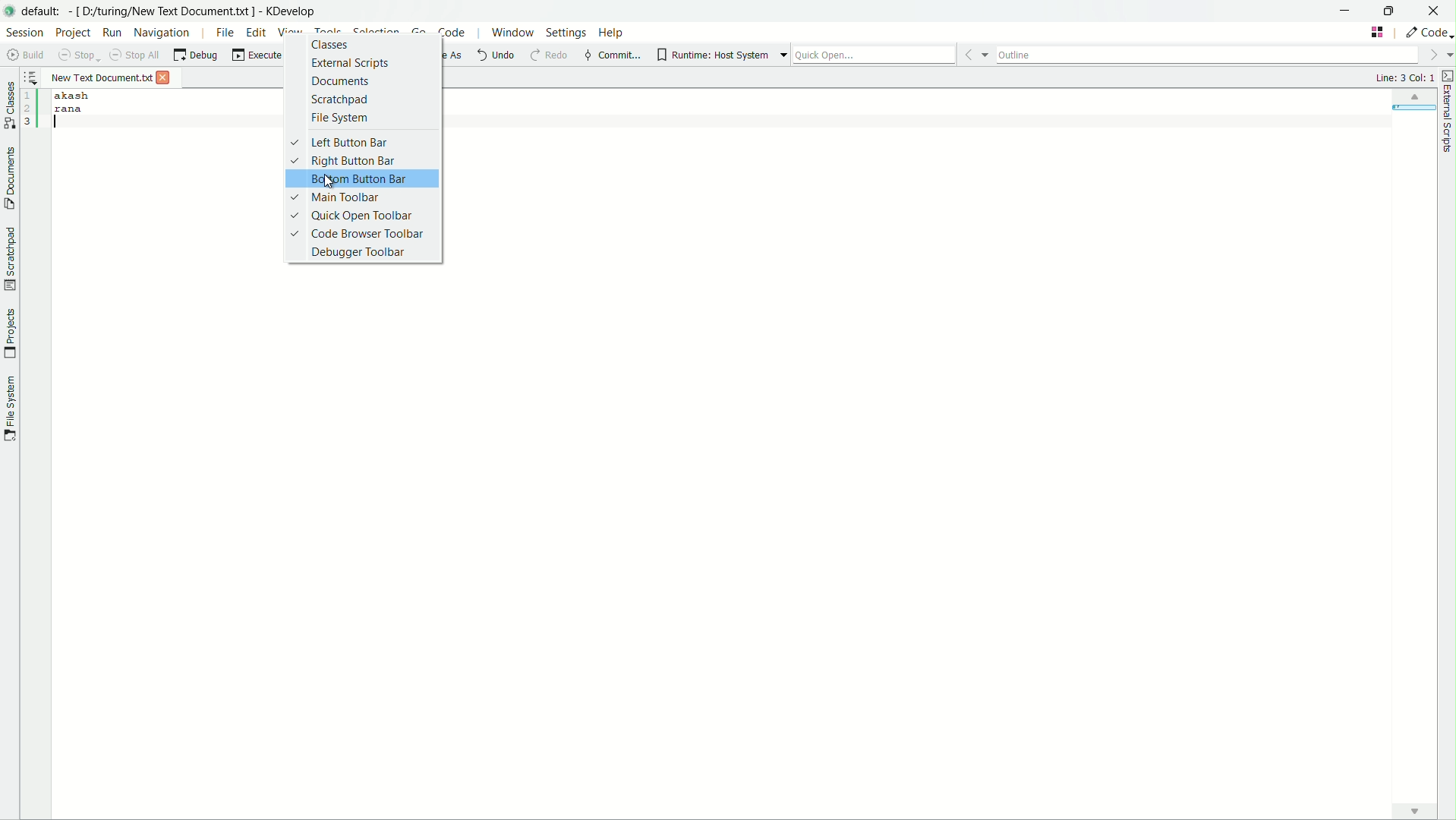  What do you see at coordinates (162, 33) in the screenshot?
I see `navigation menu` at bounding box center [162, 33].